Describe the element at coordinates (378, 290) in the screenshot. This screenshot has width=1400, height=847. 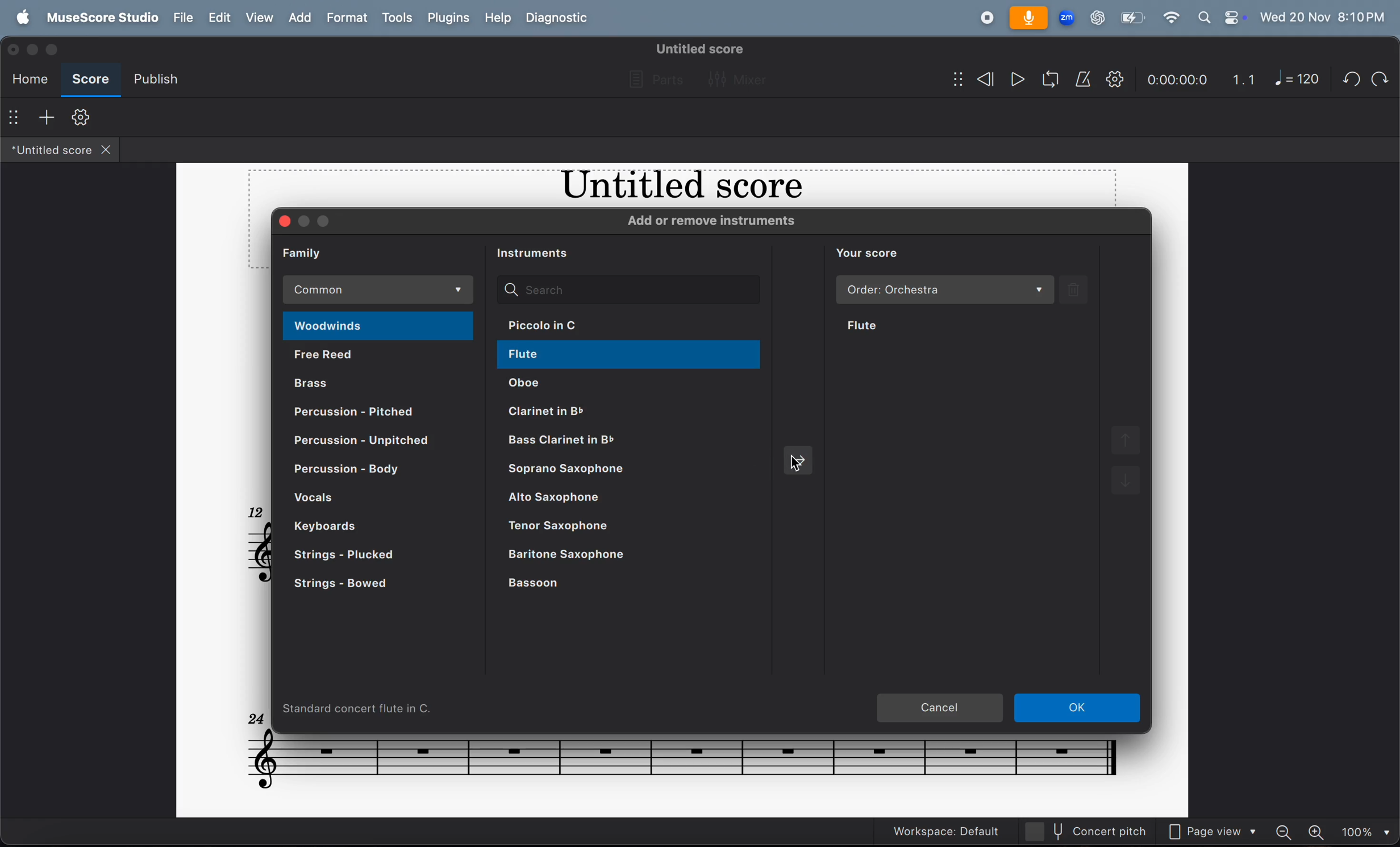
I see `common` at that location.